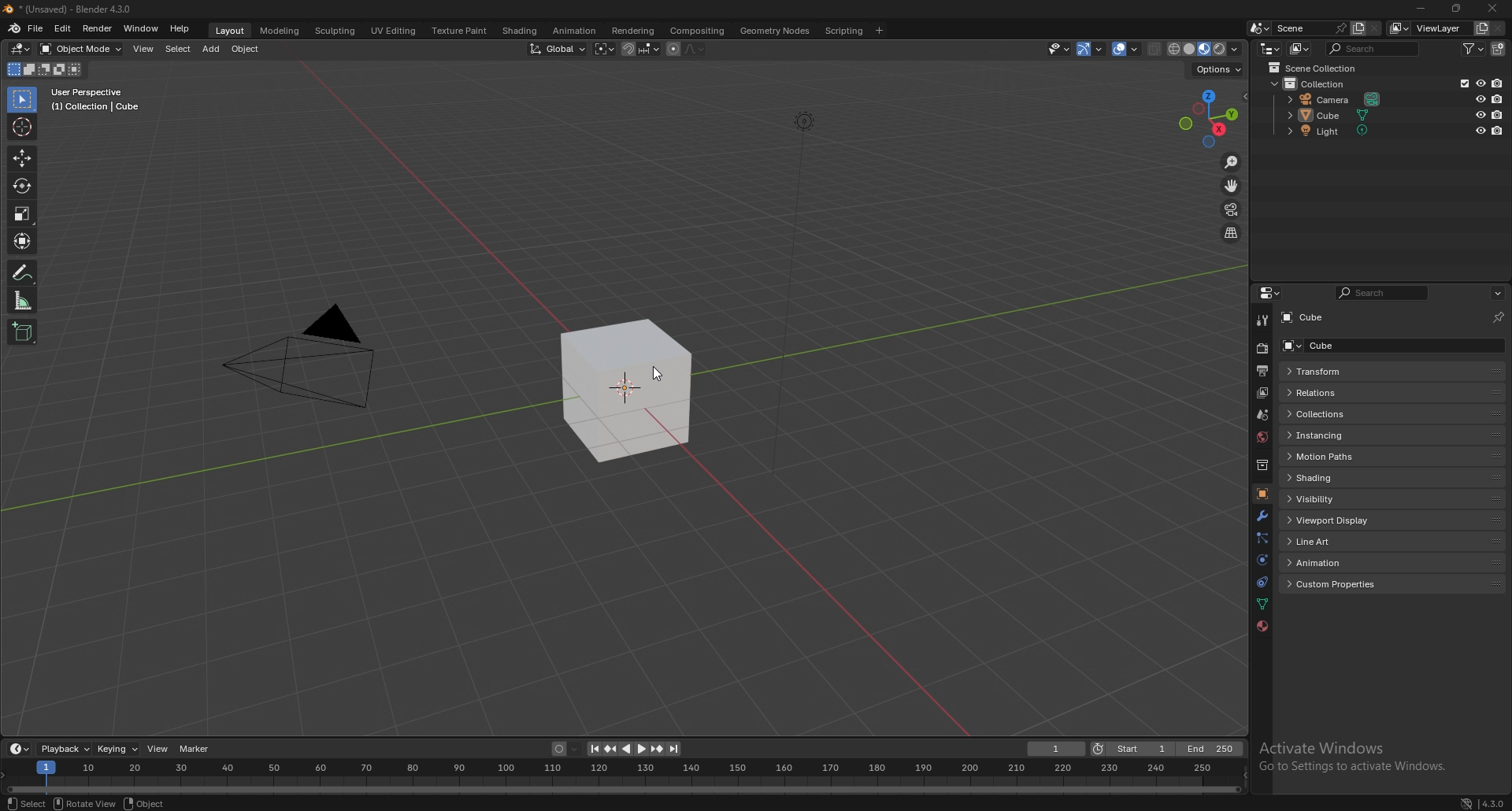 The height and width of the screenshot is (811, 1512). What do you see at coordinates (1467, 804) in the screenshot?
I see `network` at bounding box center [1467, 804].